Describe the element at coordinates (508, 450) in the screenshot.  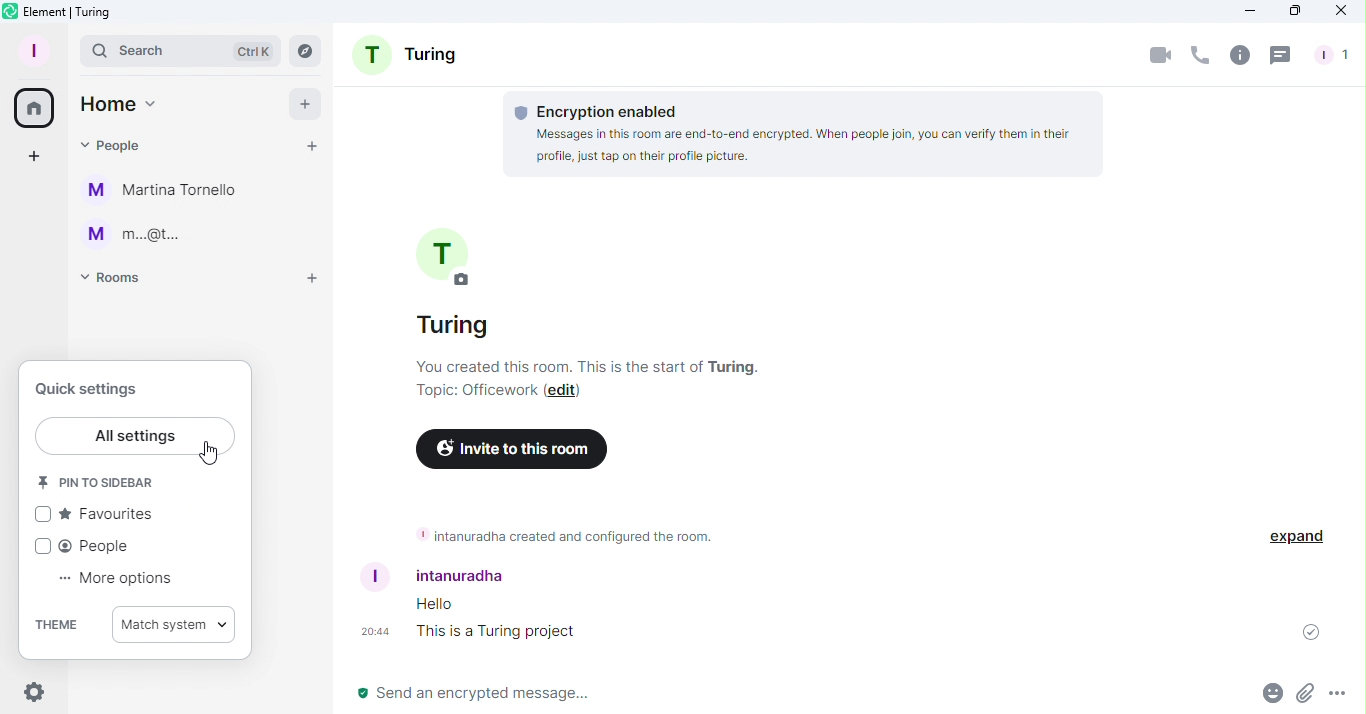
I see `Invite to this room` at that location.